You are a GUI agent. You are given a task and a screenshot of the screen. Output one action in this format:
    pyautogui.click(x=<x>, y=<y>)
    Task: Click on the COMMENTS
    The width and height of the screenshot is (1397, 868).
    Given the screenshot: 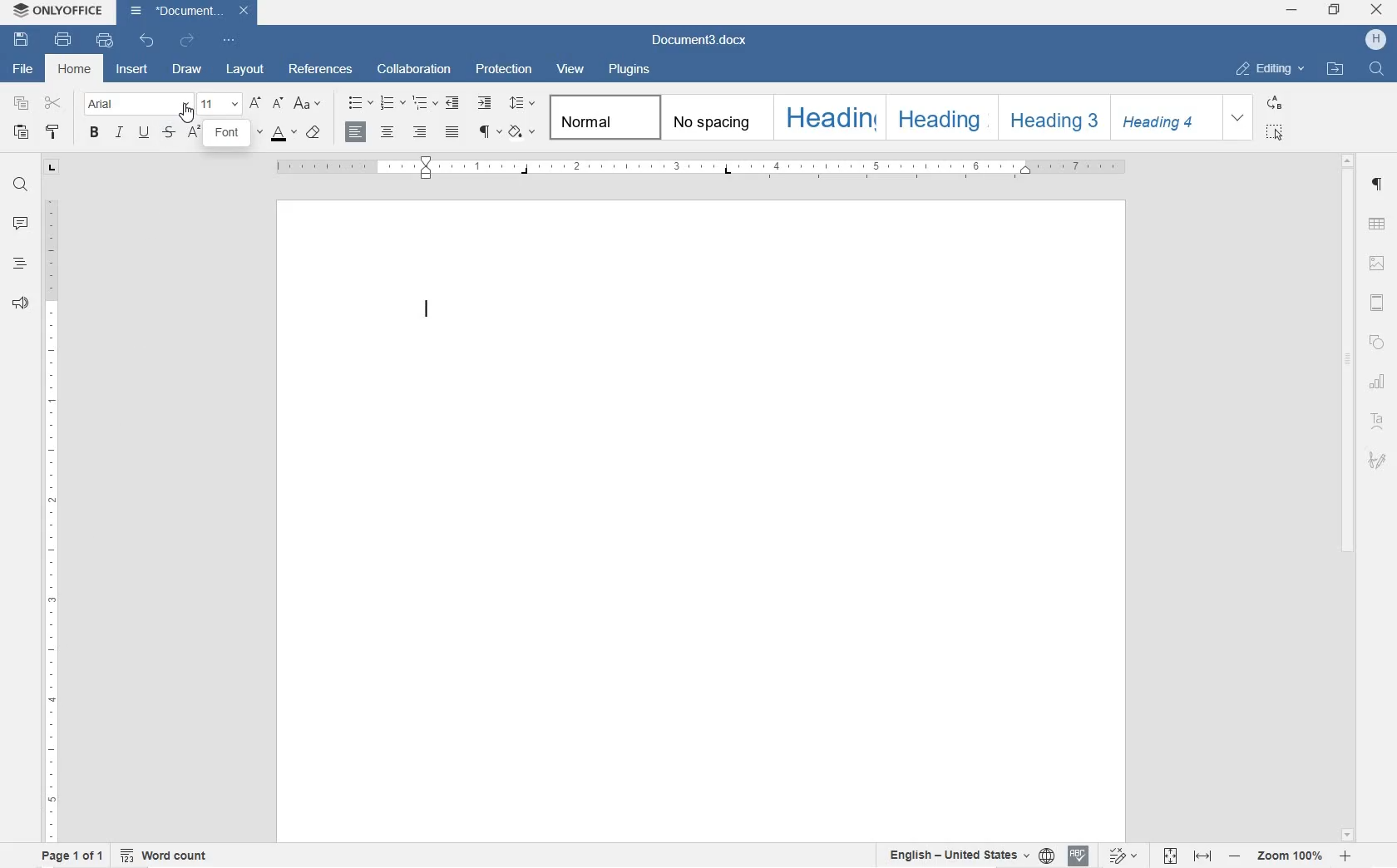 What is the action you would take?
    pyautogui.click(x=17, y=224)
    